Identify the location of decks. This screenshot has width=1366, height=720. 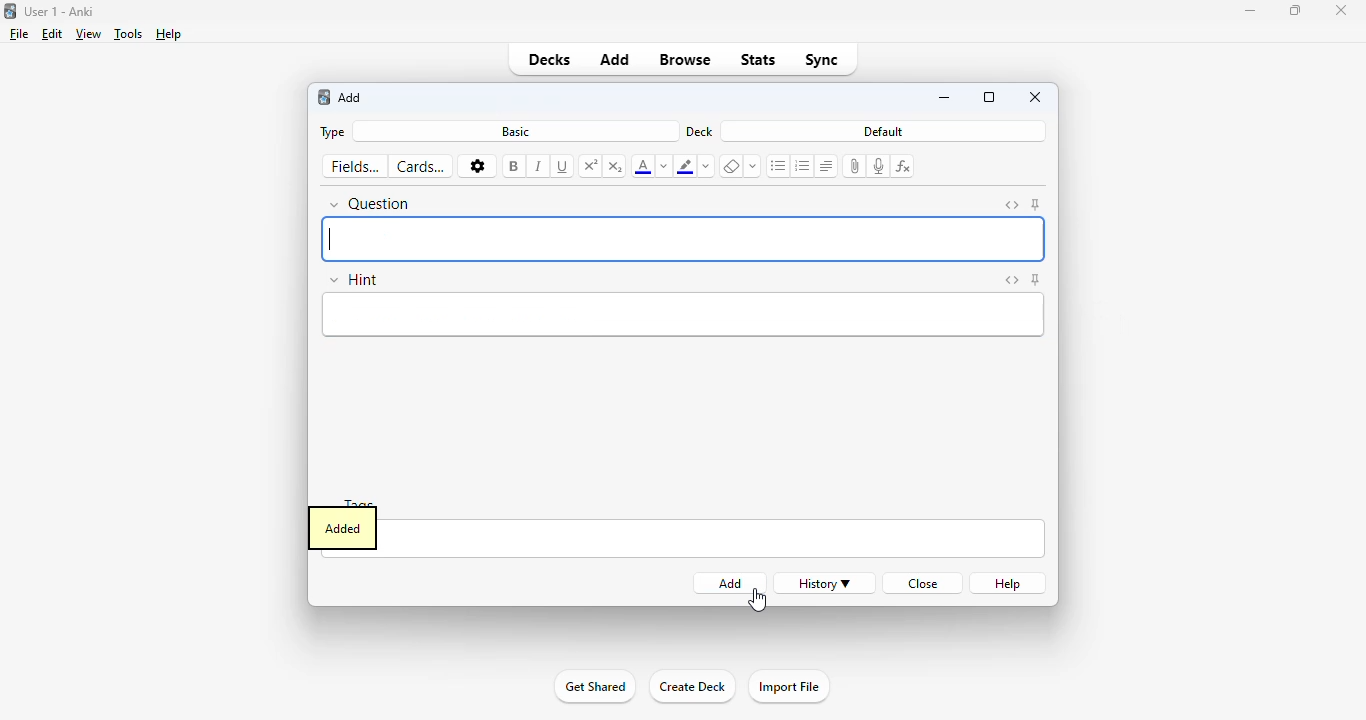
(549, 59).